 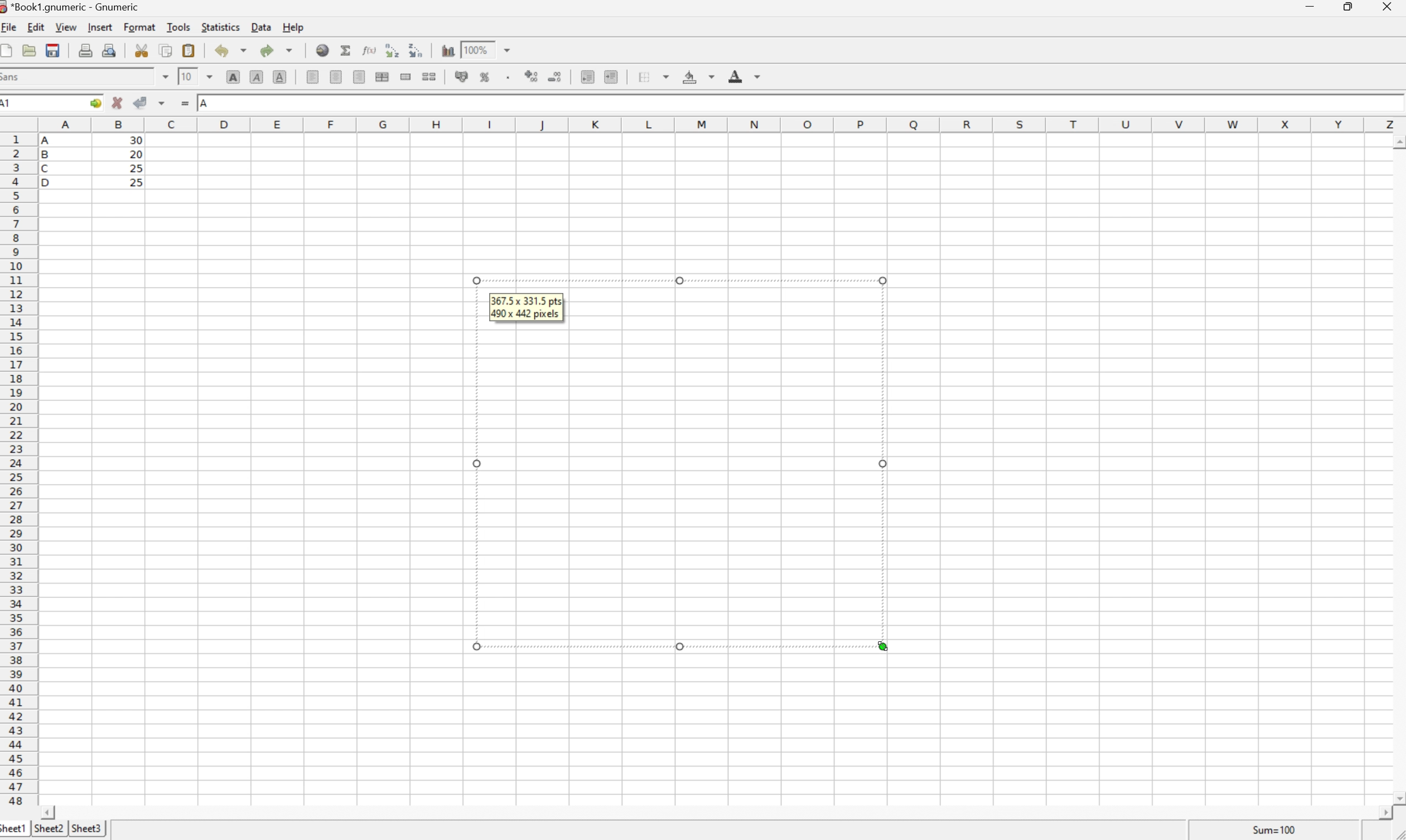 I want to click on Undo, so click(x=230, y=50).